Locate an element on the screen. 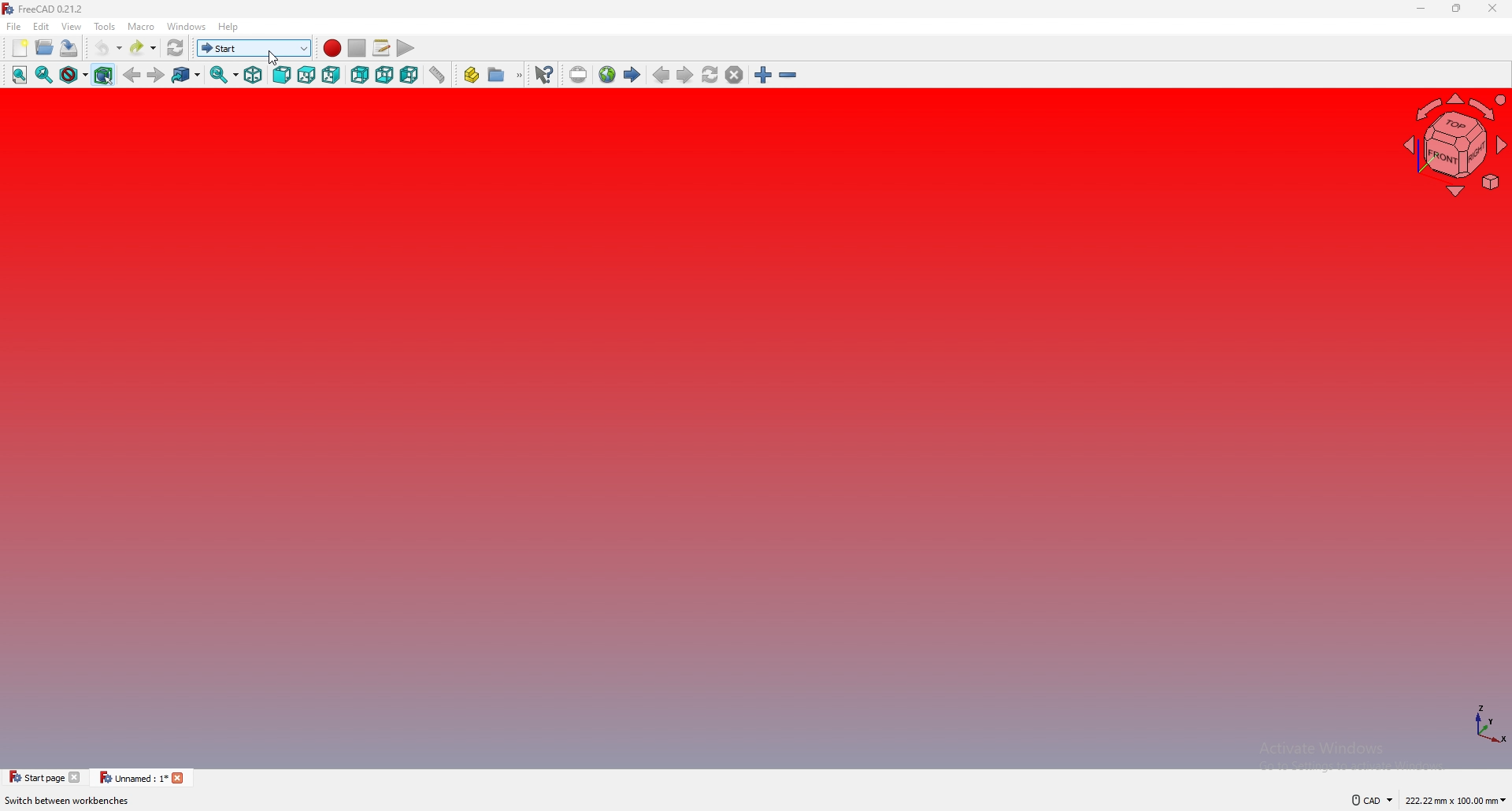 This screenshot has width=1512, height=811. fit selection is located at coordinates (44, 75).